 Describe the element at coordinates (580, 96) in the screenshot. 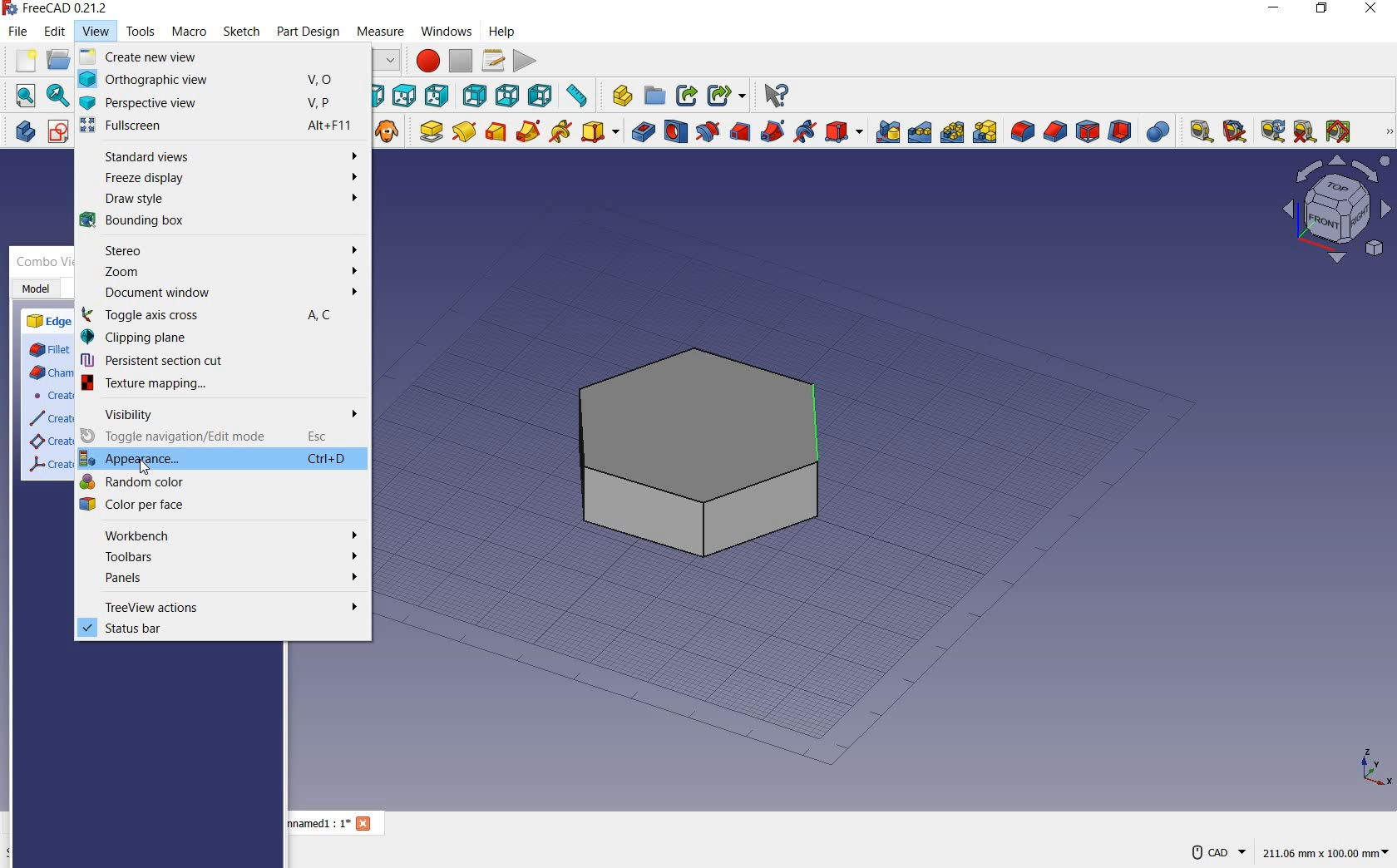

I see `measure distance` at that location.